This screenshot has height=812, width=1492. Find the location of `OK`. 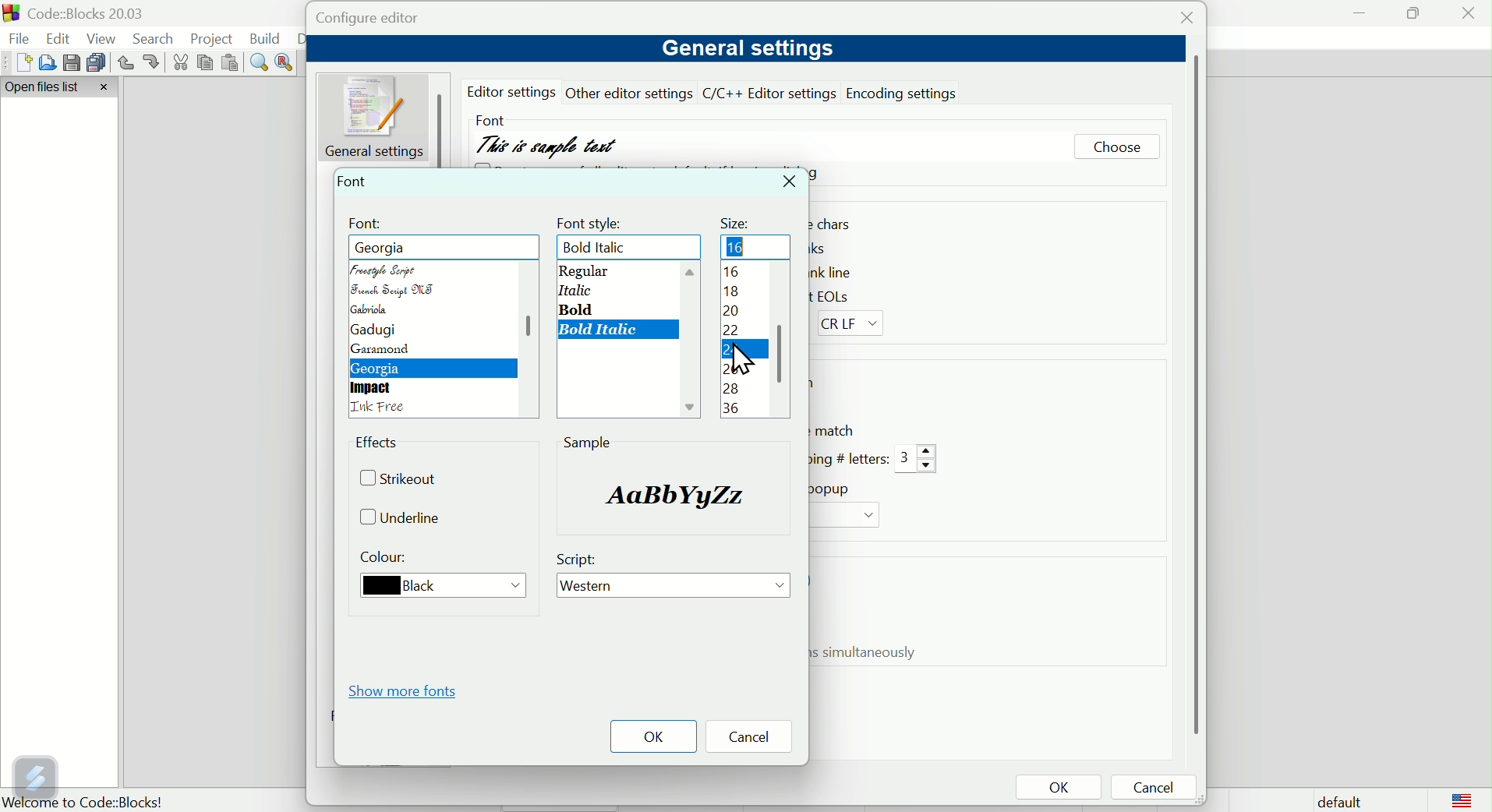

OK is located at coordinates (653, 736).